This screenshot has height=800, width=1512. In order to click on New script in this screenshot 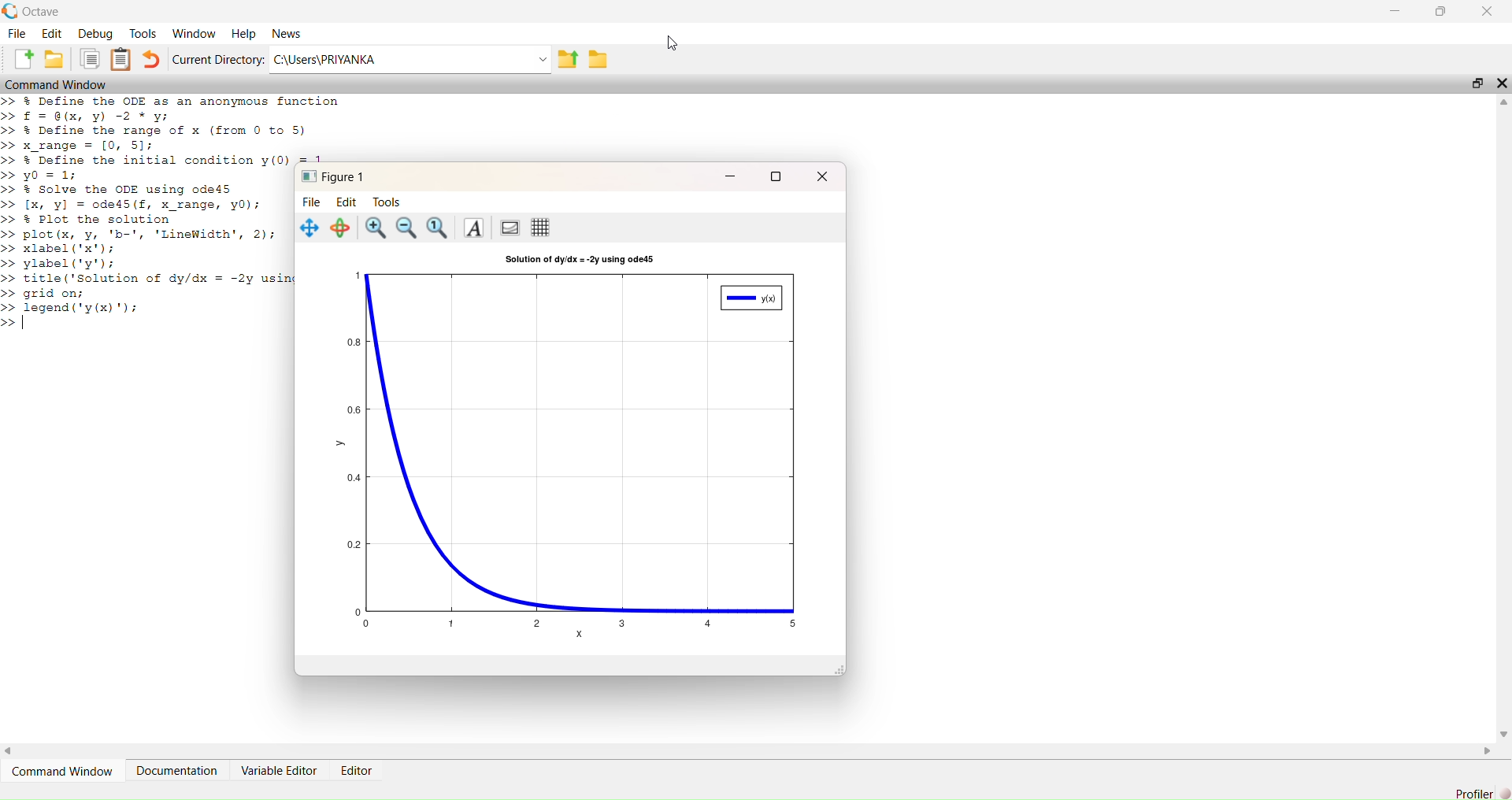, I will do `click(20, 59)`.